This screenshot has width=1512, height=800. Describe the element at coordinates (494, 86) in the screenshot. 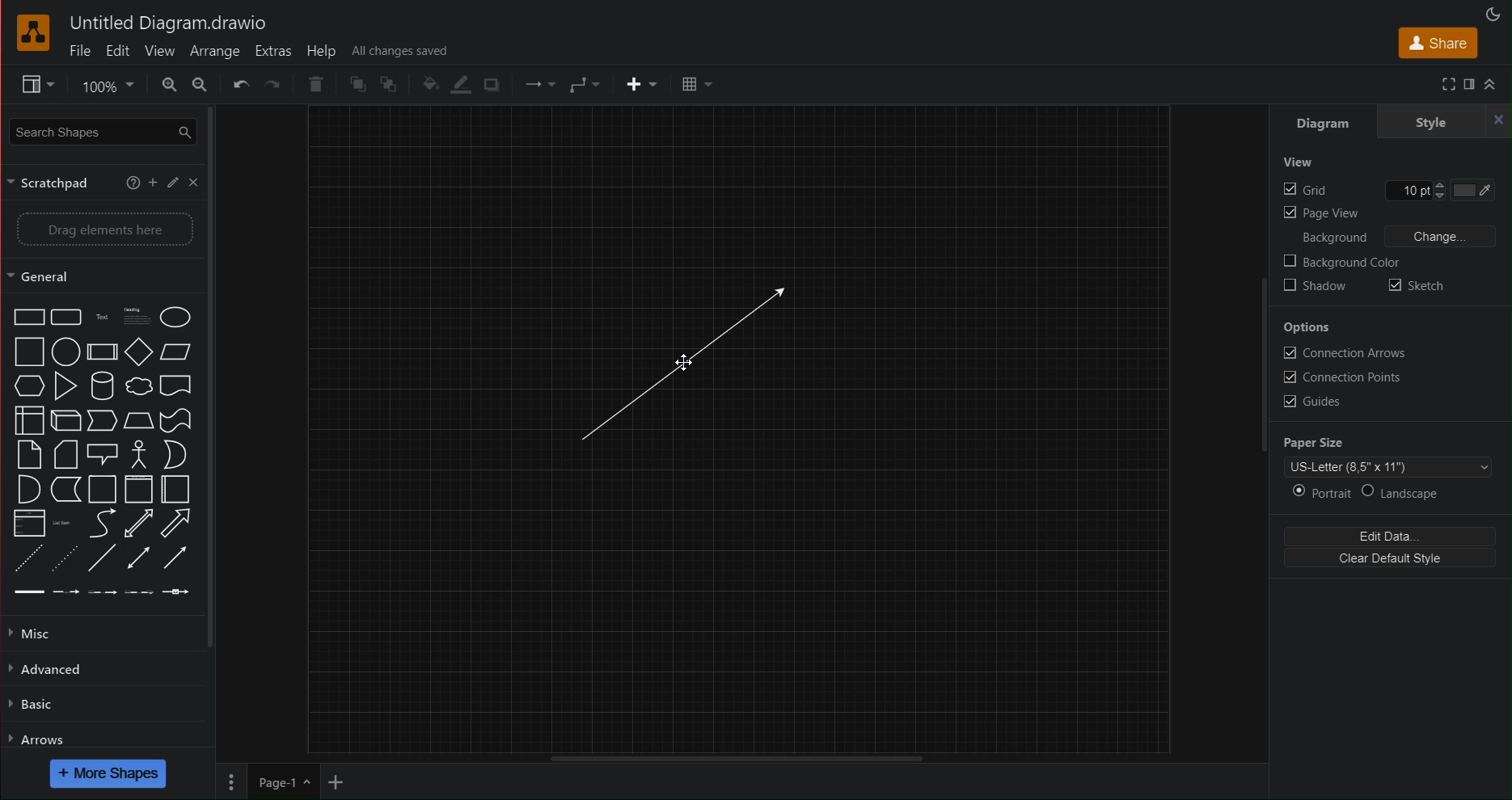

I see `Shadow` at that location.